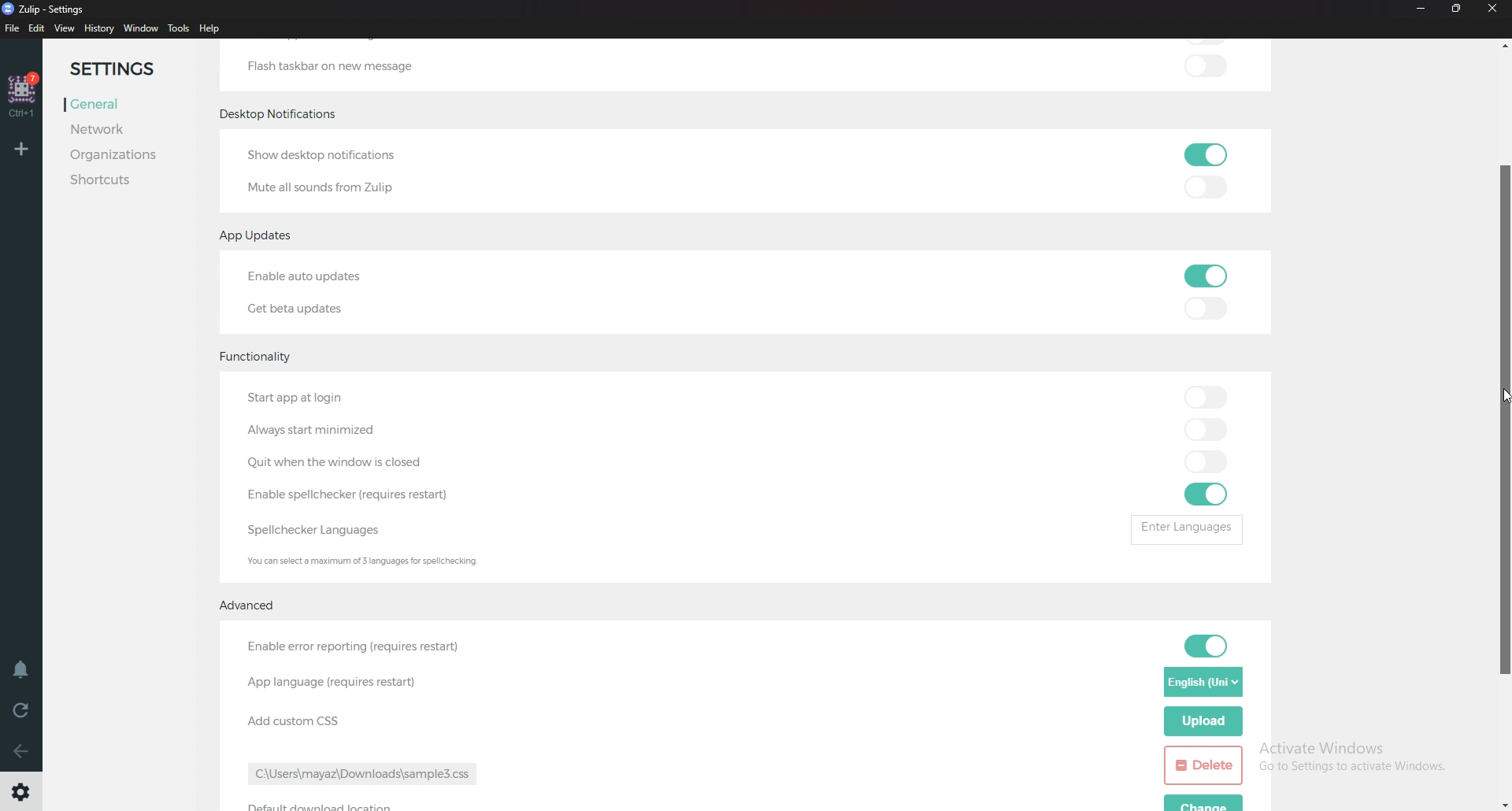  I want to click on quit when Windows is closed, so click(350, 462).